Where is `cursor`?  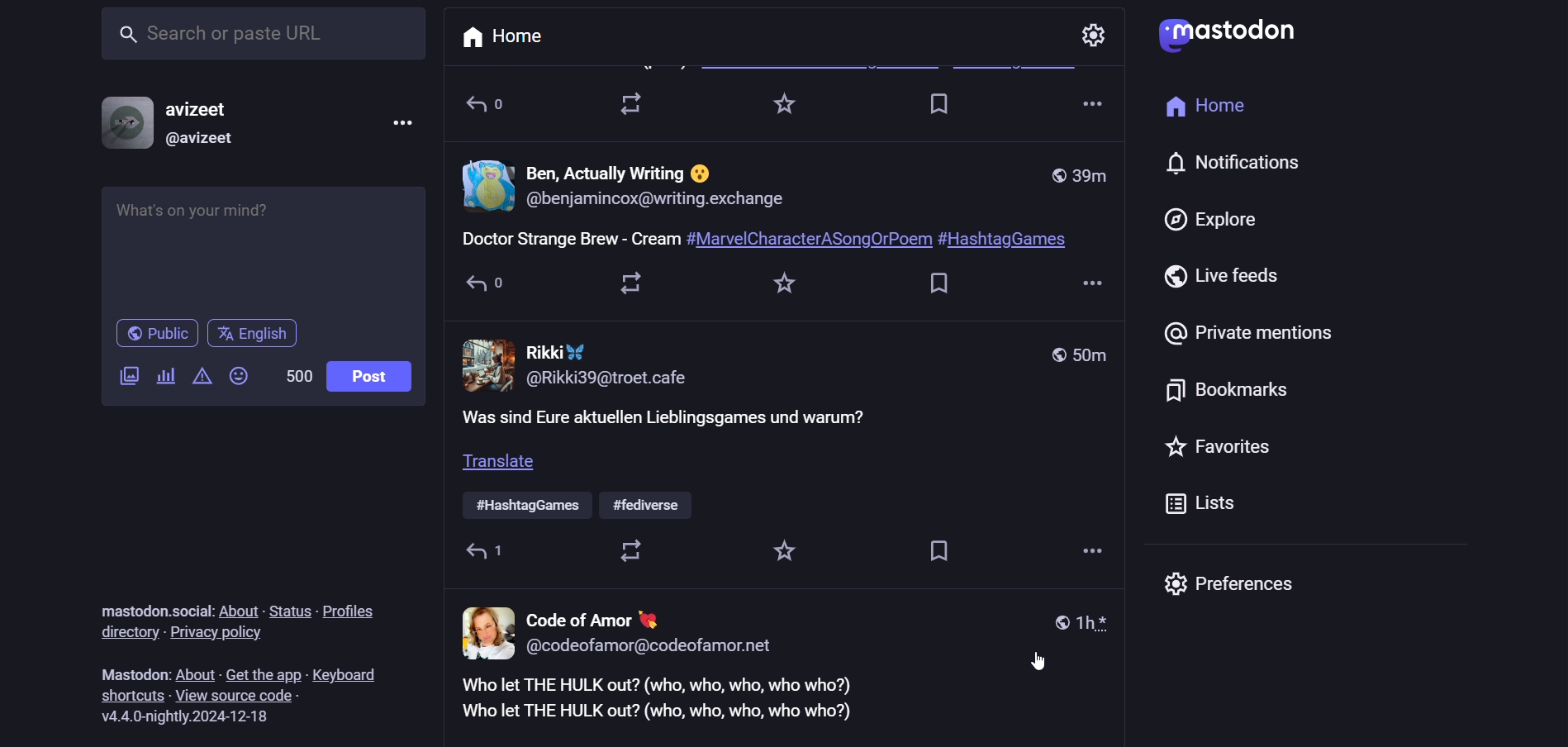
cursor is located at coordinates (1037, 659).